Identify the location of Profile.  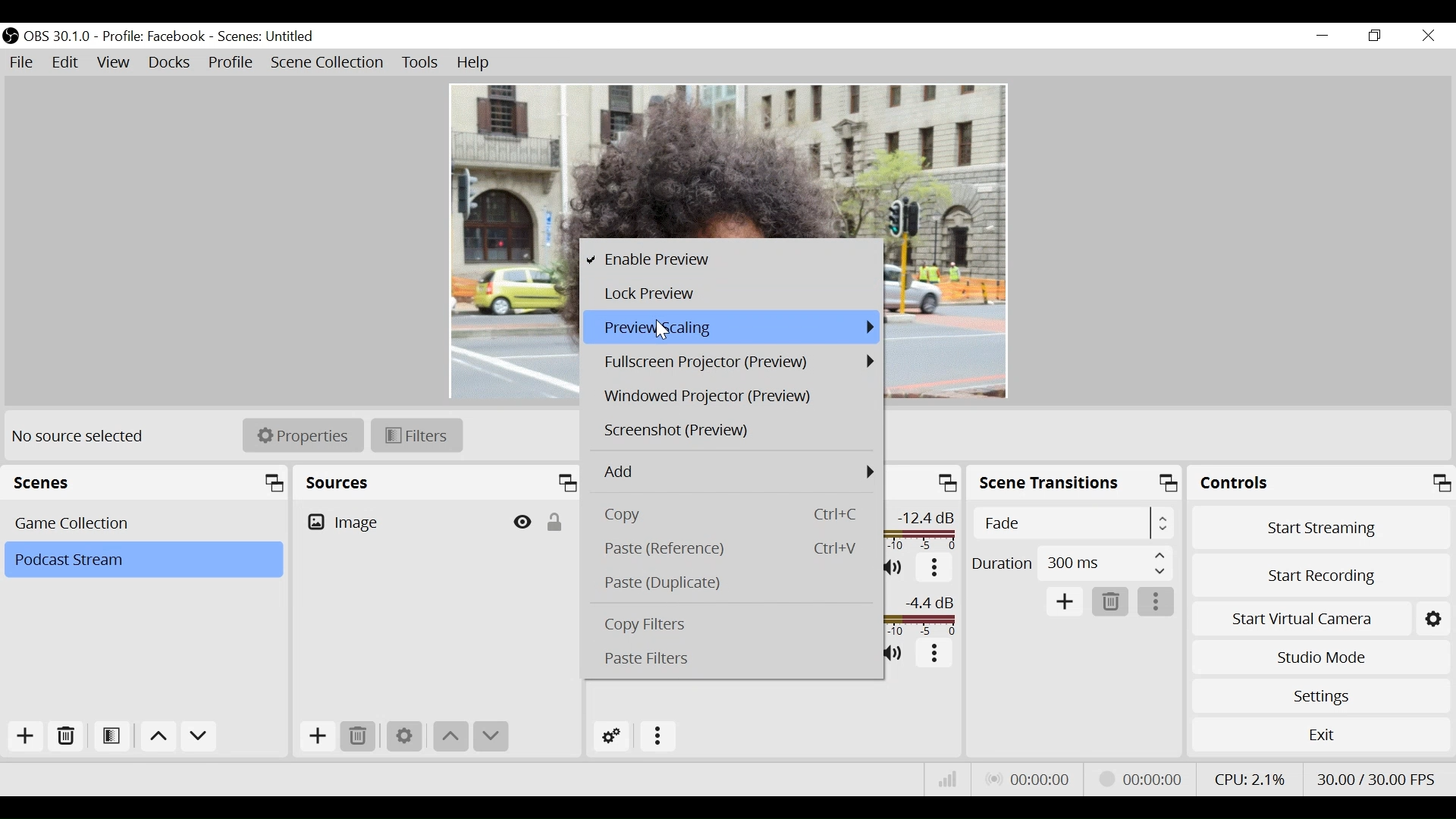
(155, 37).